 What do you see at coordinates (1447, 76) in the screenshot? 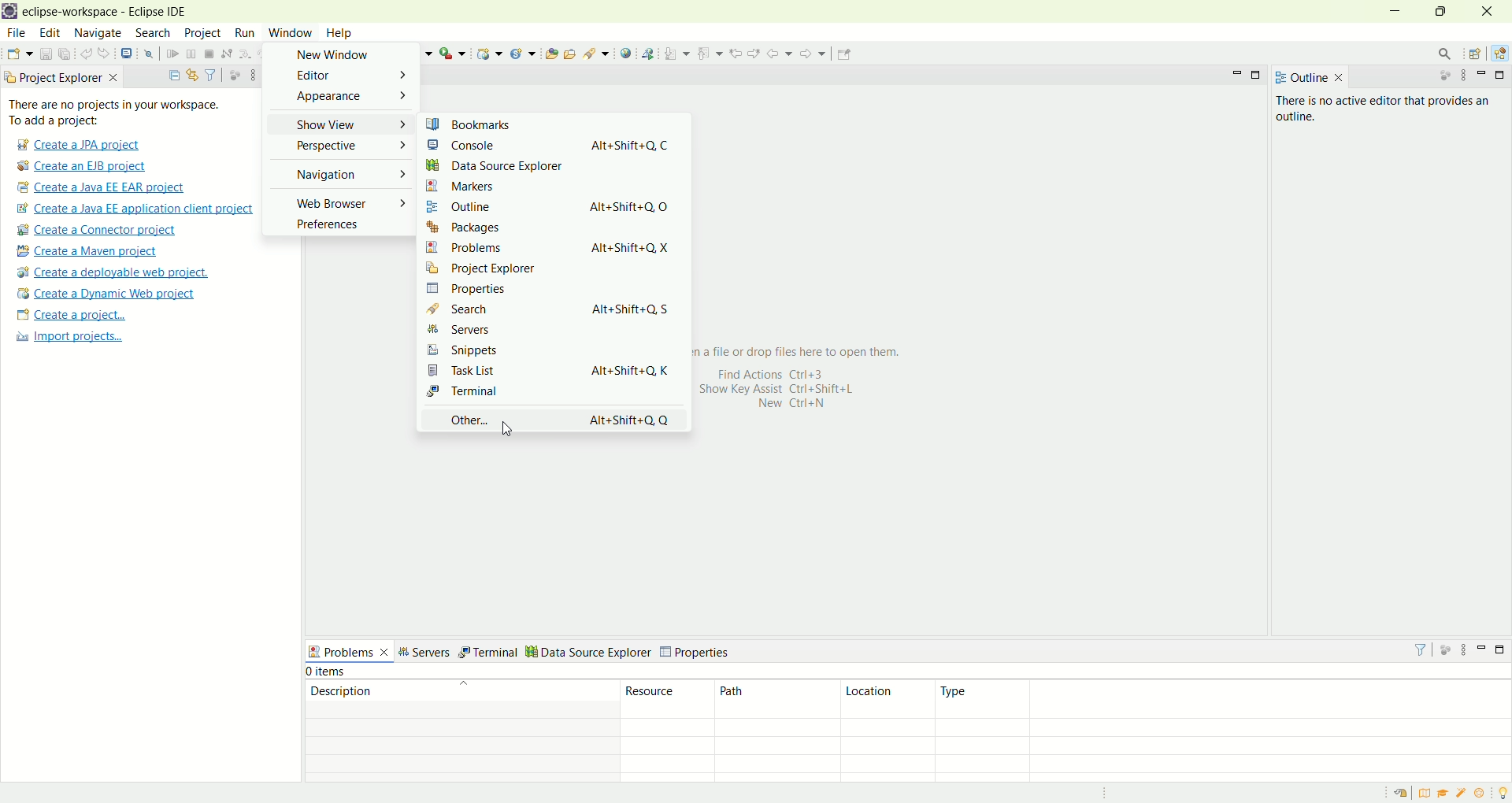
I see `focus on active task` at bounding box center [1447, 76].